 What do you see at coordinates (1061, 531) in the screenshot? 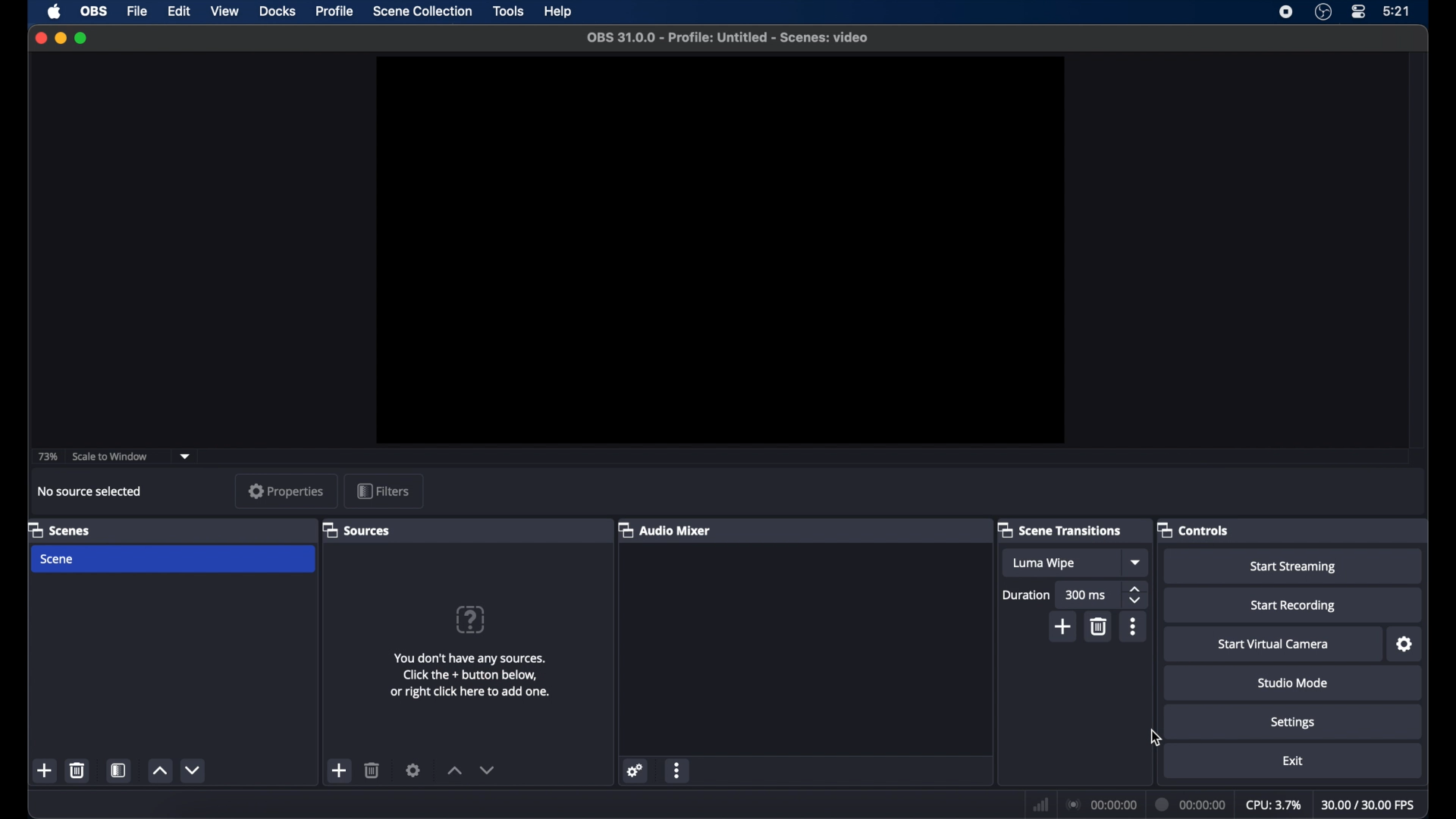
I see `scene transitions` at bounding box center [1061, 531].